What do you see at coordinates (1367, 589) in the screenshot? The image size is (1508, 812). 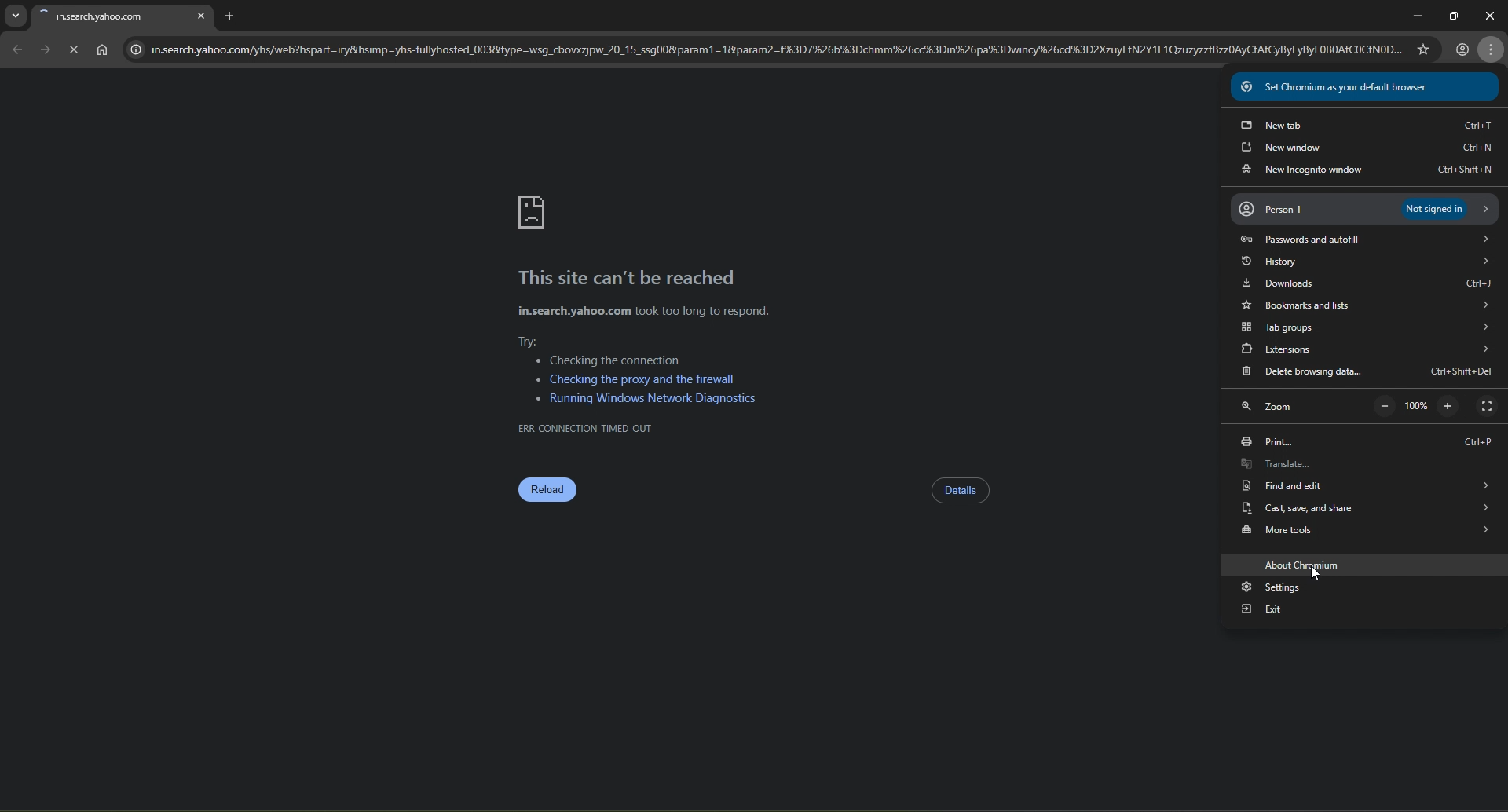 I see `settings` at bounding box center [1367, 589].